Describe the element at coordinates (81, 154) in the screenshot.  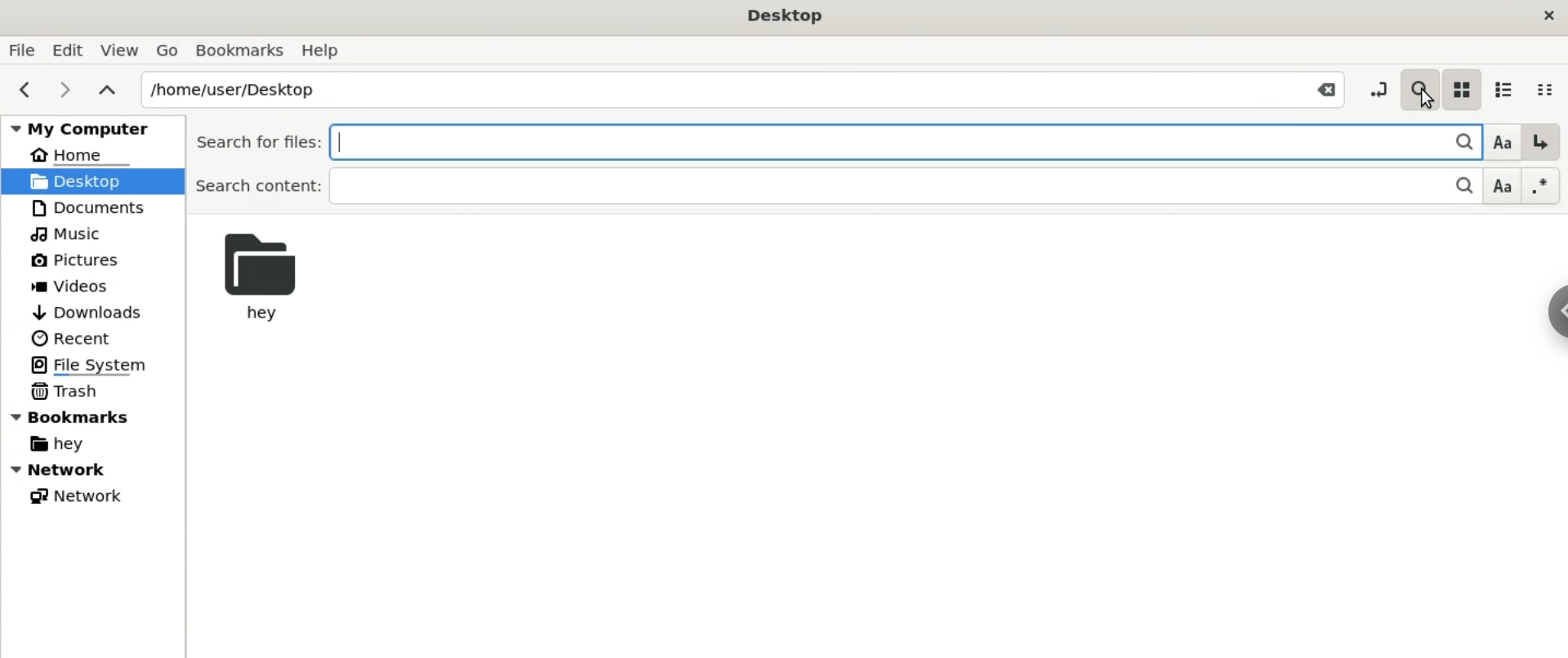
I see `Home` at that location.